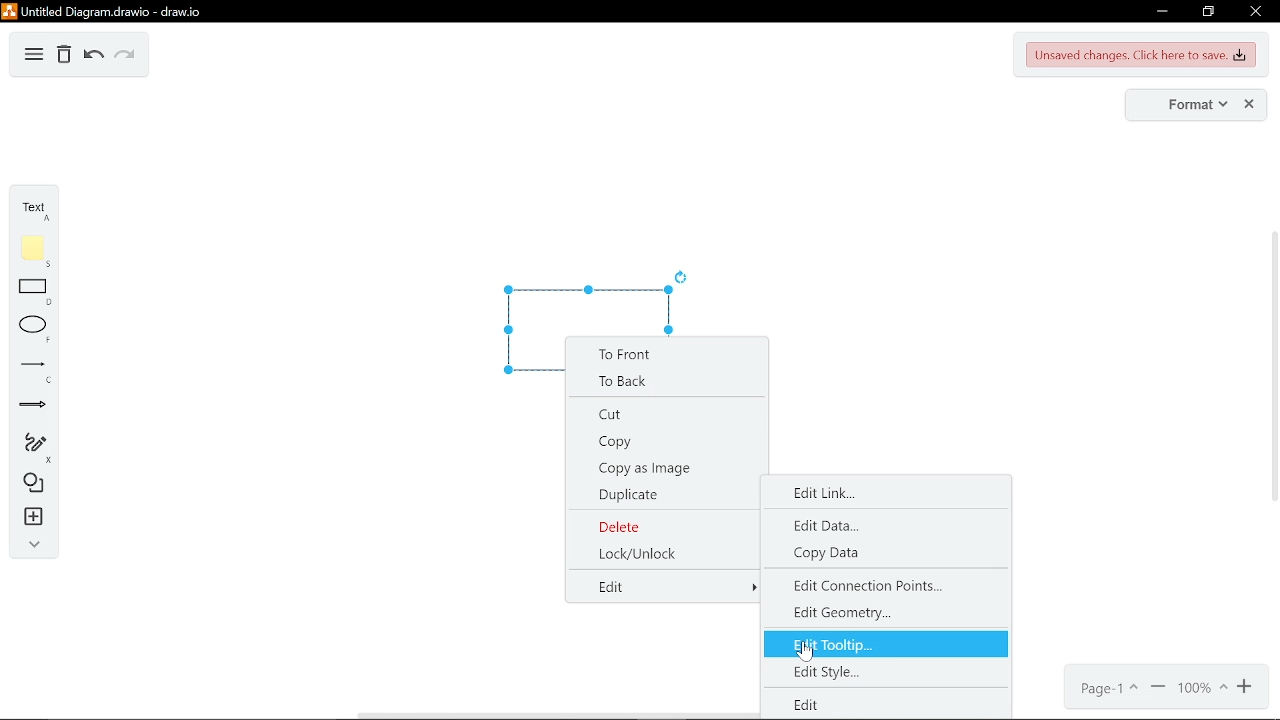 This screenshot has width=1280, height=720. Describe the element at coordinates (558, 714) in the screenshot. I see `horizontal scrollbar` at that location.